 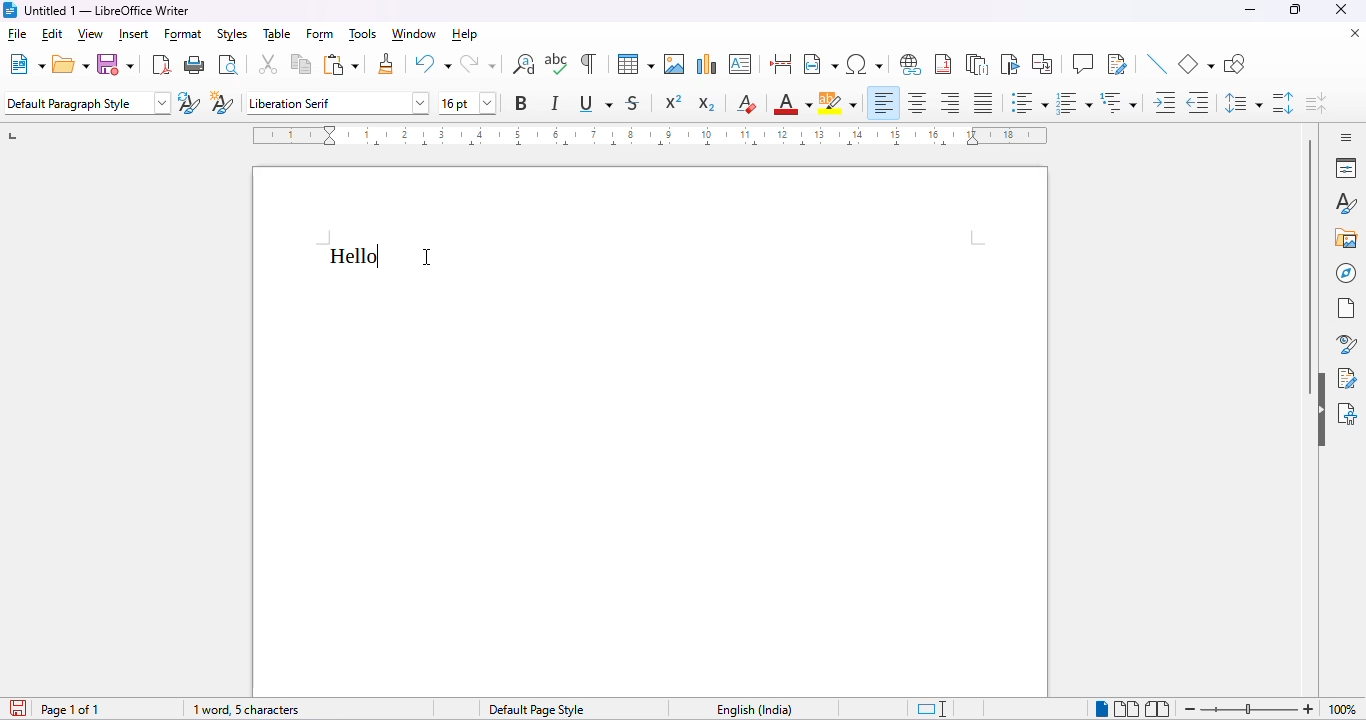 What do you see at coordinates (1284, 104) in the screenshot?
I see `increase paragraph spacing` at bounding box center [1284, 104].